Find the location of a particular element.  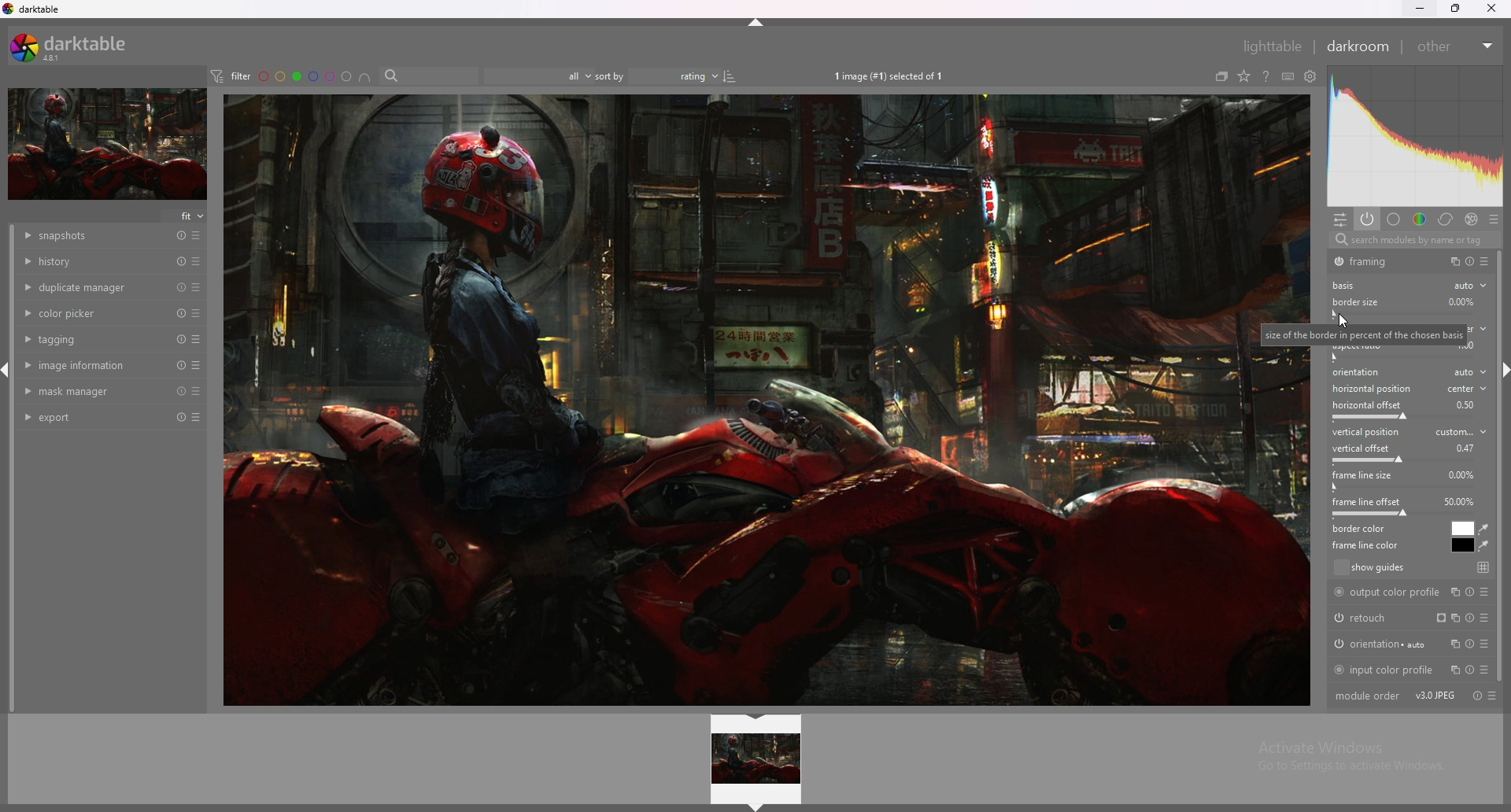

see global preferences is located at coordinates (1310, 76).